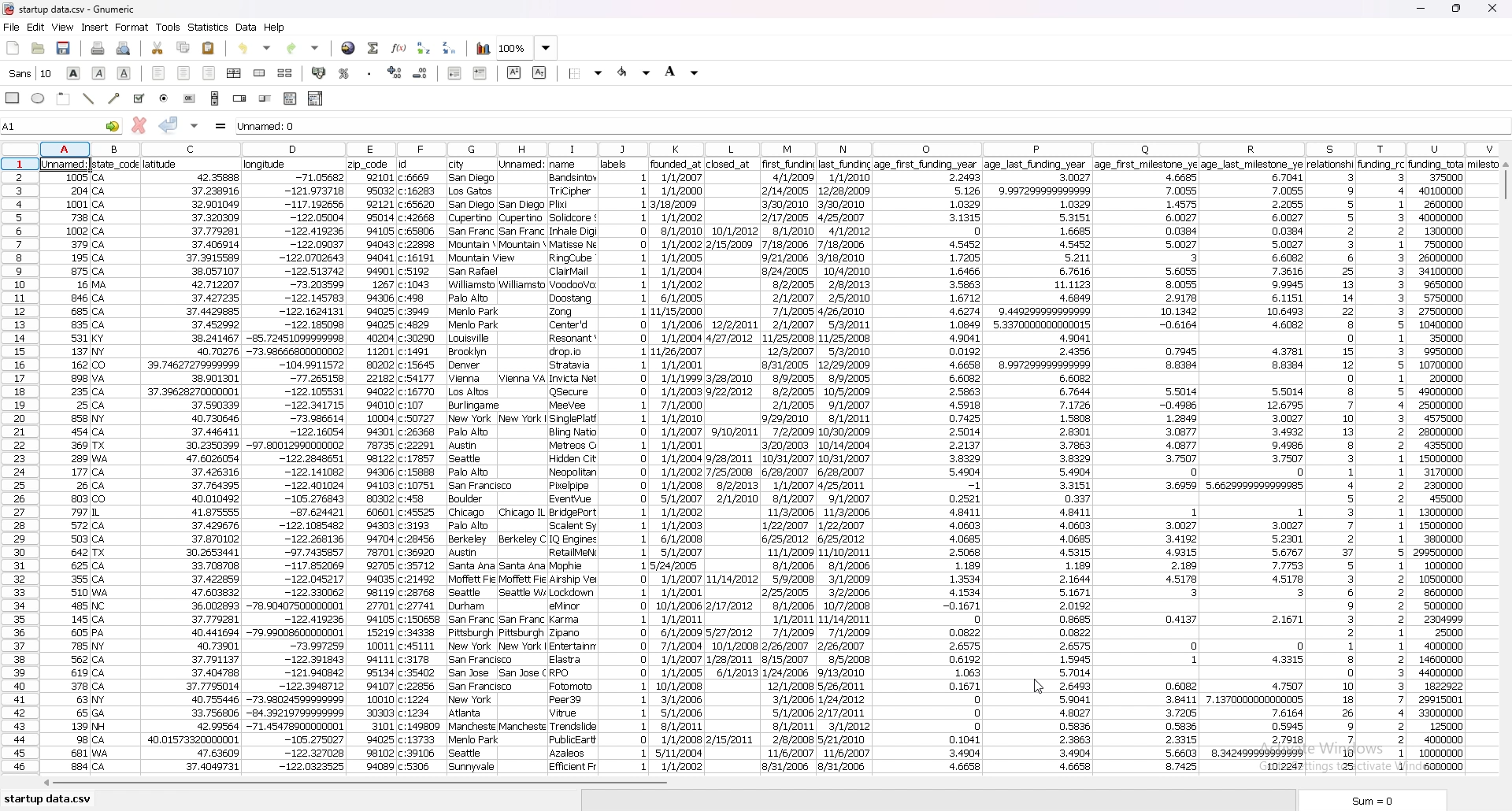  I want to click on scroll bar, so click(1504, 472).